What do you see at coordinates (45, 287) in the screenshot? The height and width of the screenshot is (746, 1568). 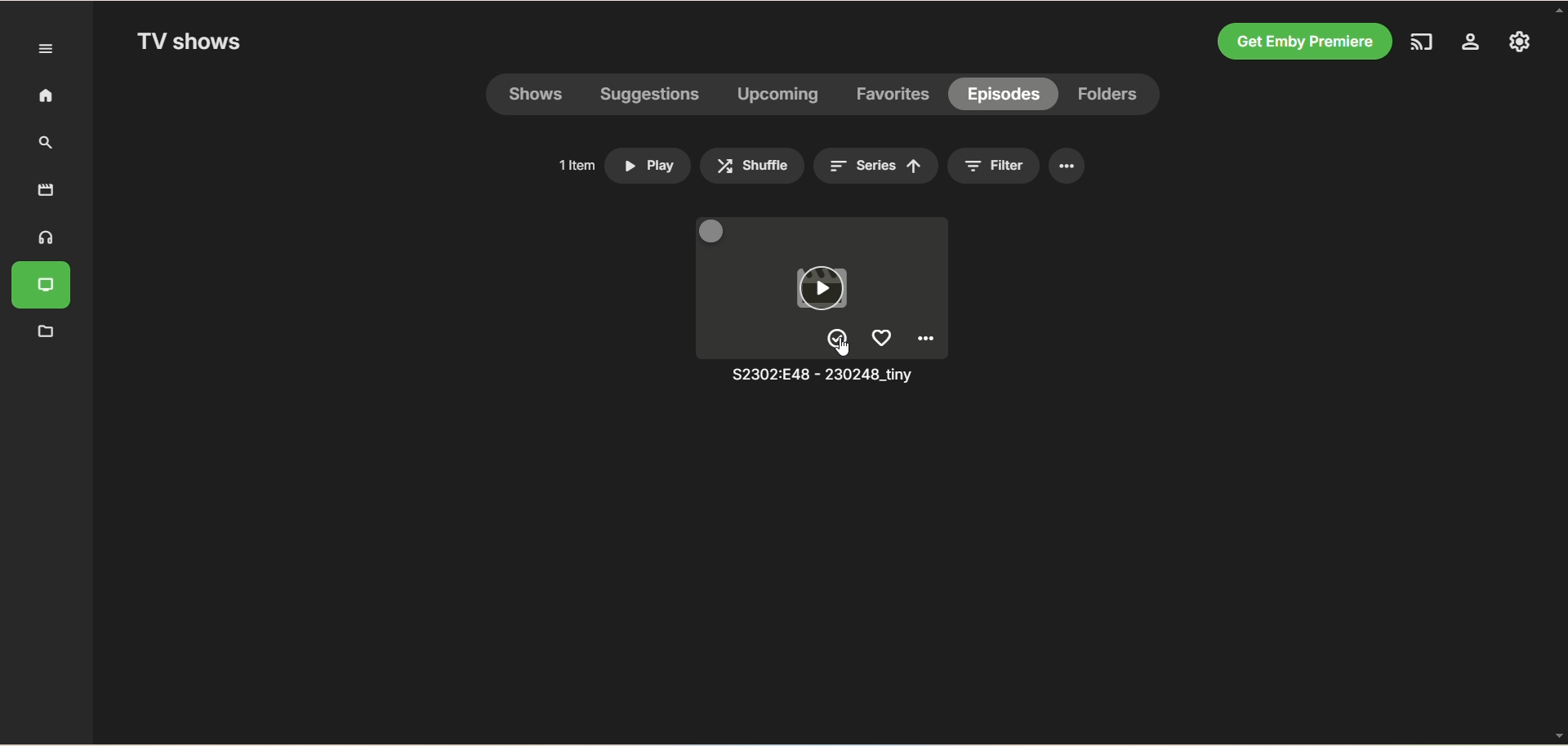 I see `TV shows` at bounding box center [45, 287].